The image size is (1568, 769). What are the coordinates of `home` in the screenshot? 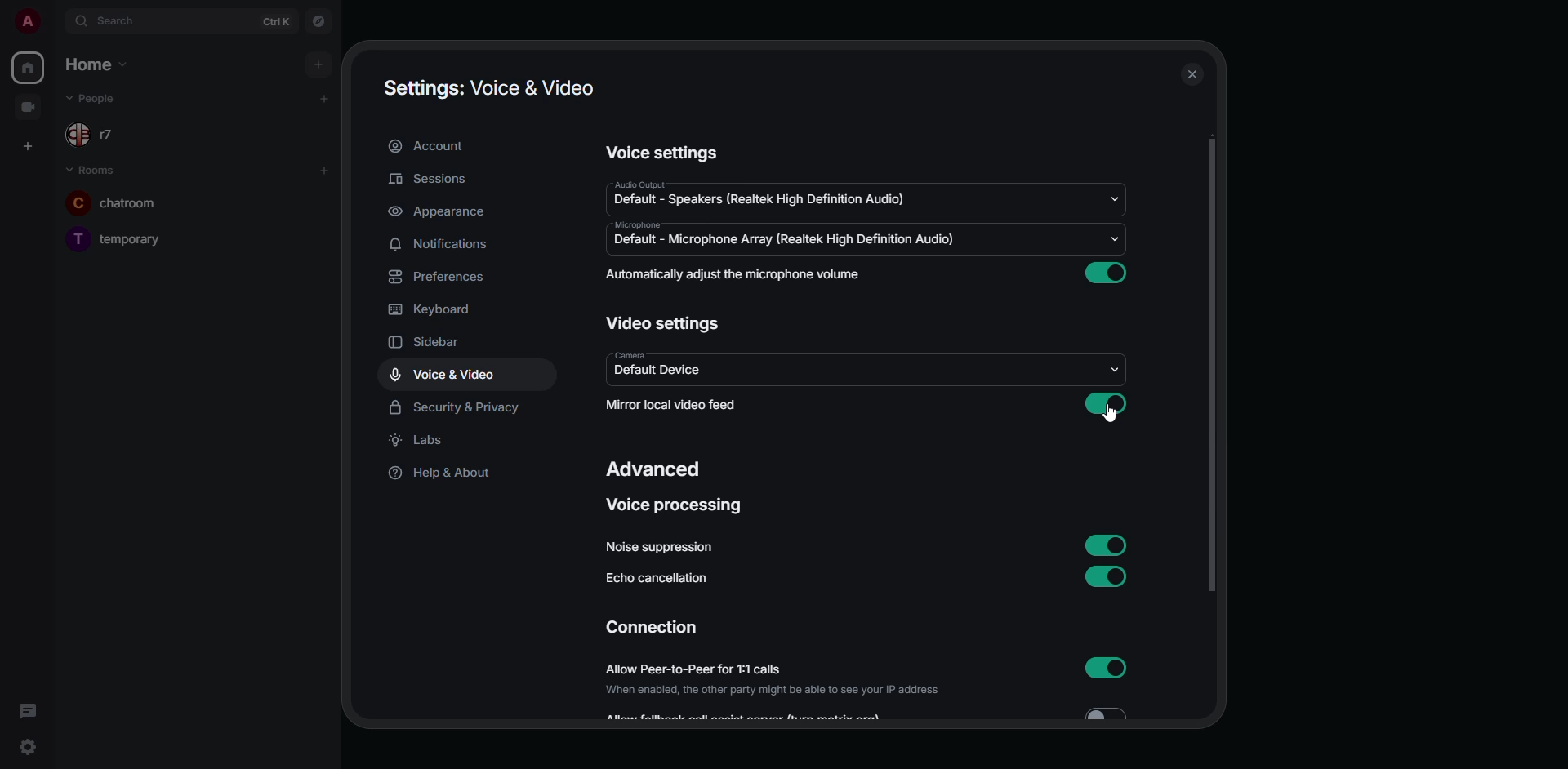 It's located at (29, 66).